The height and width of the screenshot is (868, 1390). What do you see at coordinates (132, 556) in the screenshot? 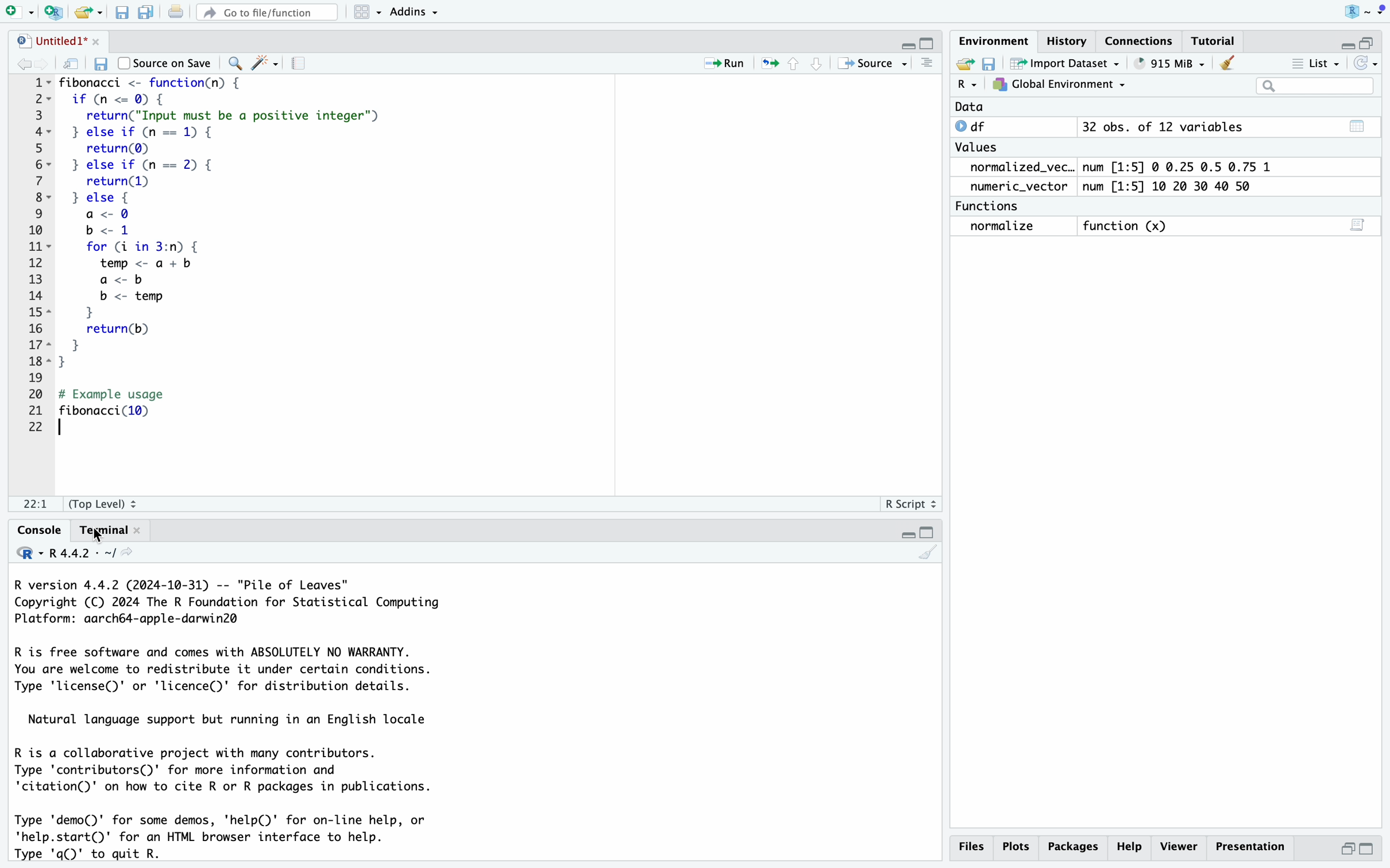
I see `view the current working directory` at bounding box center [132, 556].